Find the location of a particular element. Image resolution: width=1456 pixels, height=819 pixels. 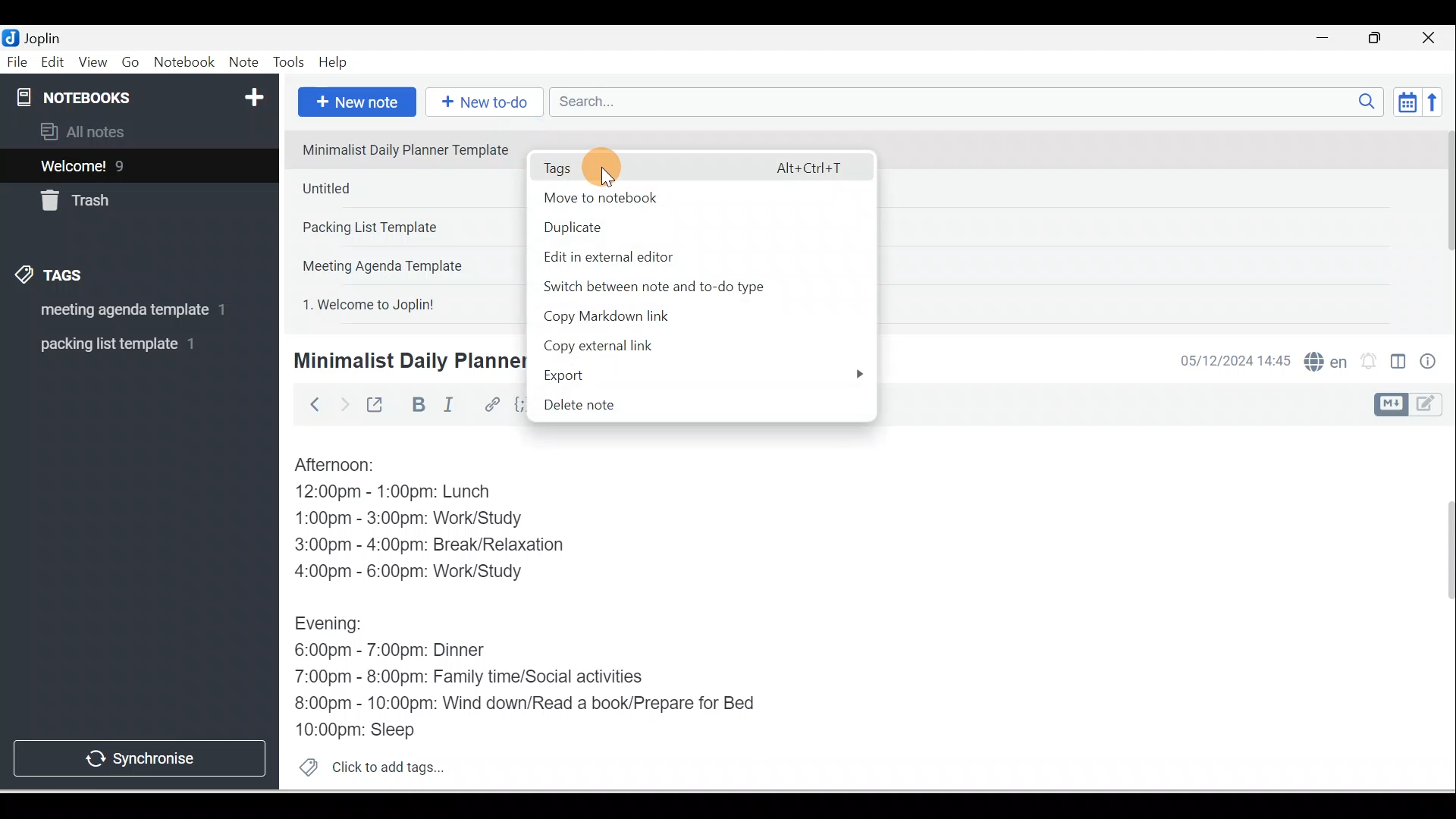

Note 2 is located at coordinates (401, 188).